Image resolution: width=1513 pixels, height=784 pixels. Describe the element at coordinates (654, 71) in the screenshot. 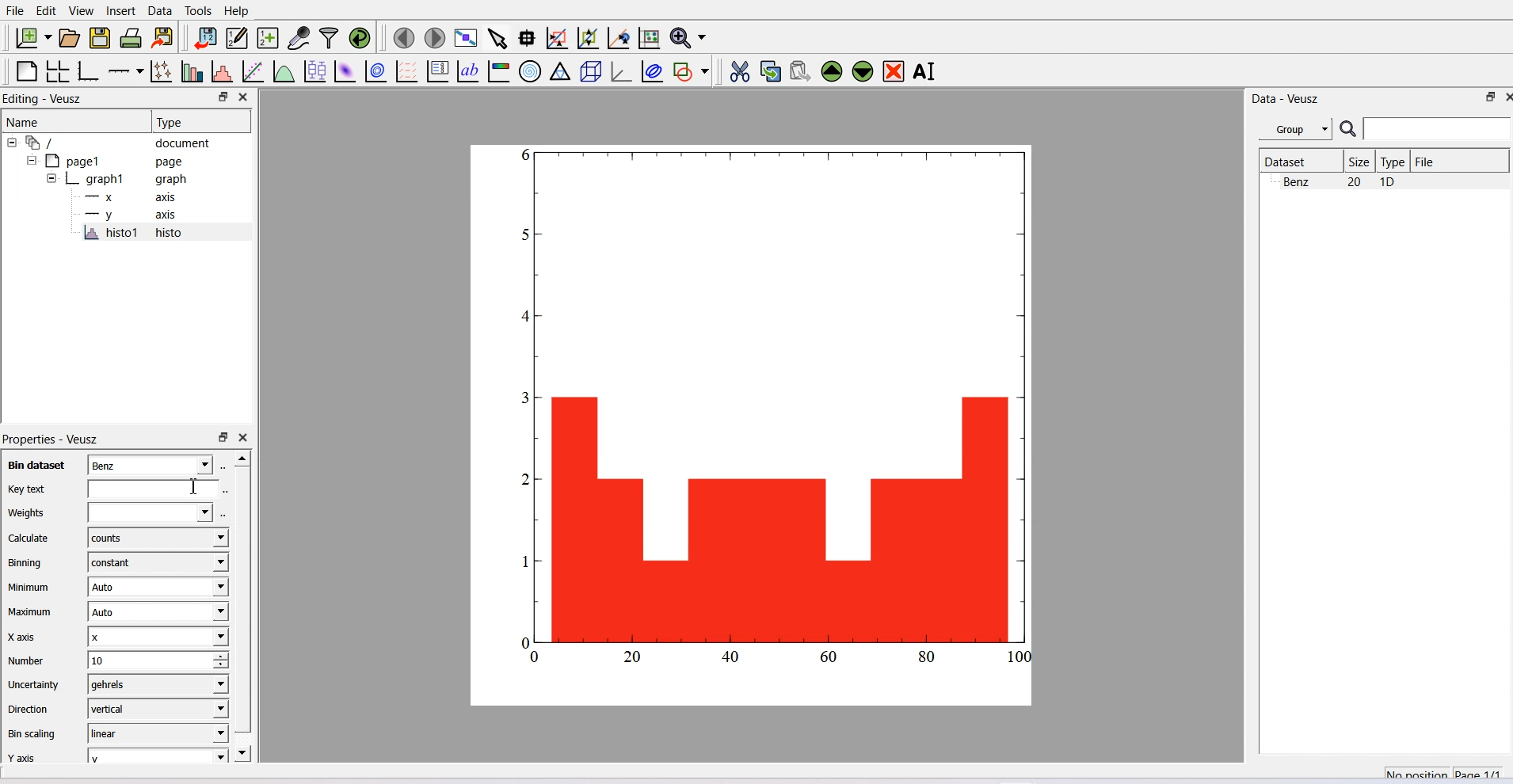

I see `Plot Covariance ellipses` at that location.